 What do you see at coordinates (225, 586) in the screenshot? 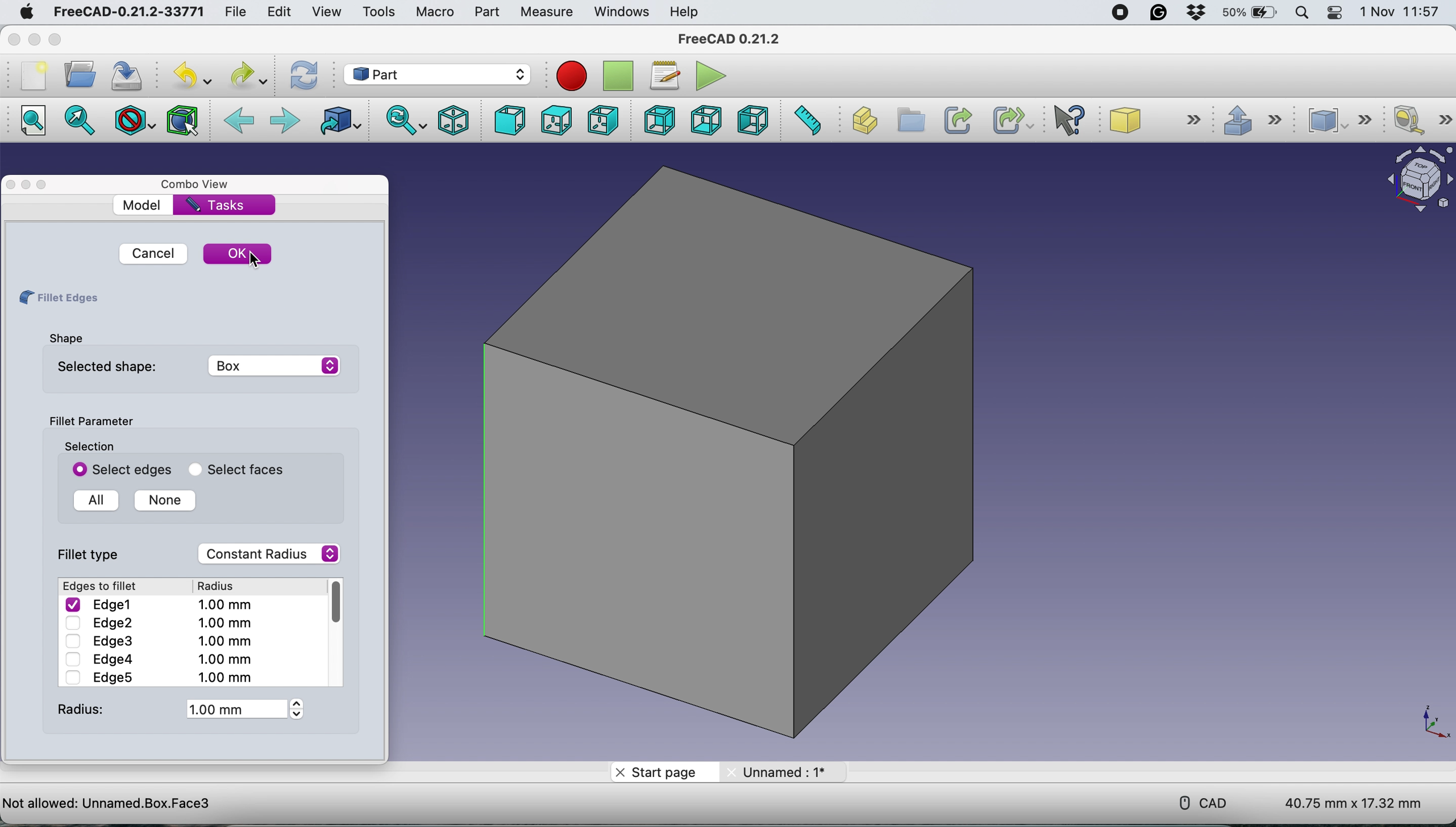
I see `Radius` at bounding box center [225, 586].